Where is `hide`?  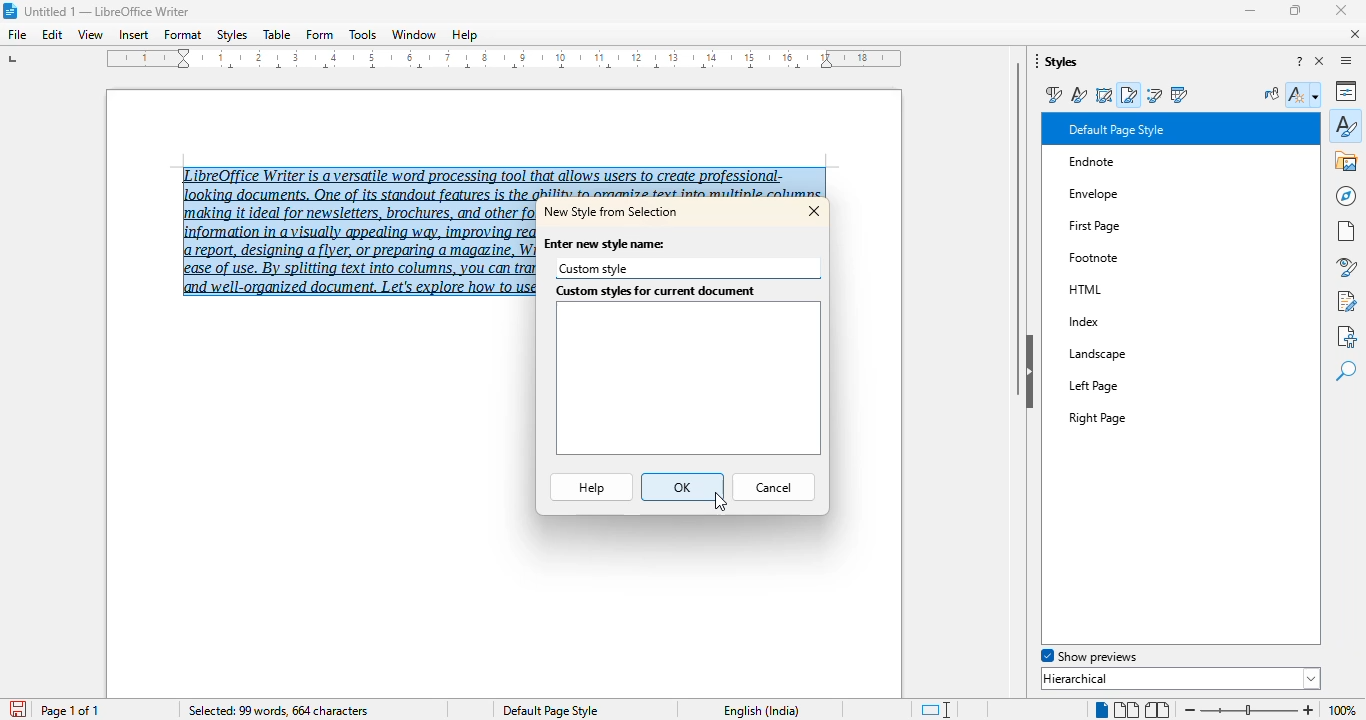 hide is located at coordinates (1031, 371).